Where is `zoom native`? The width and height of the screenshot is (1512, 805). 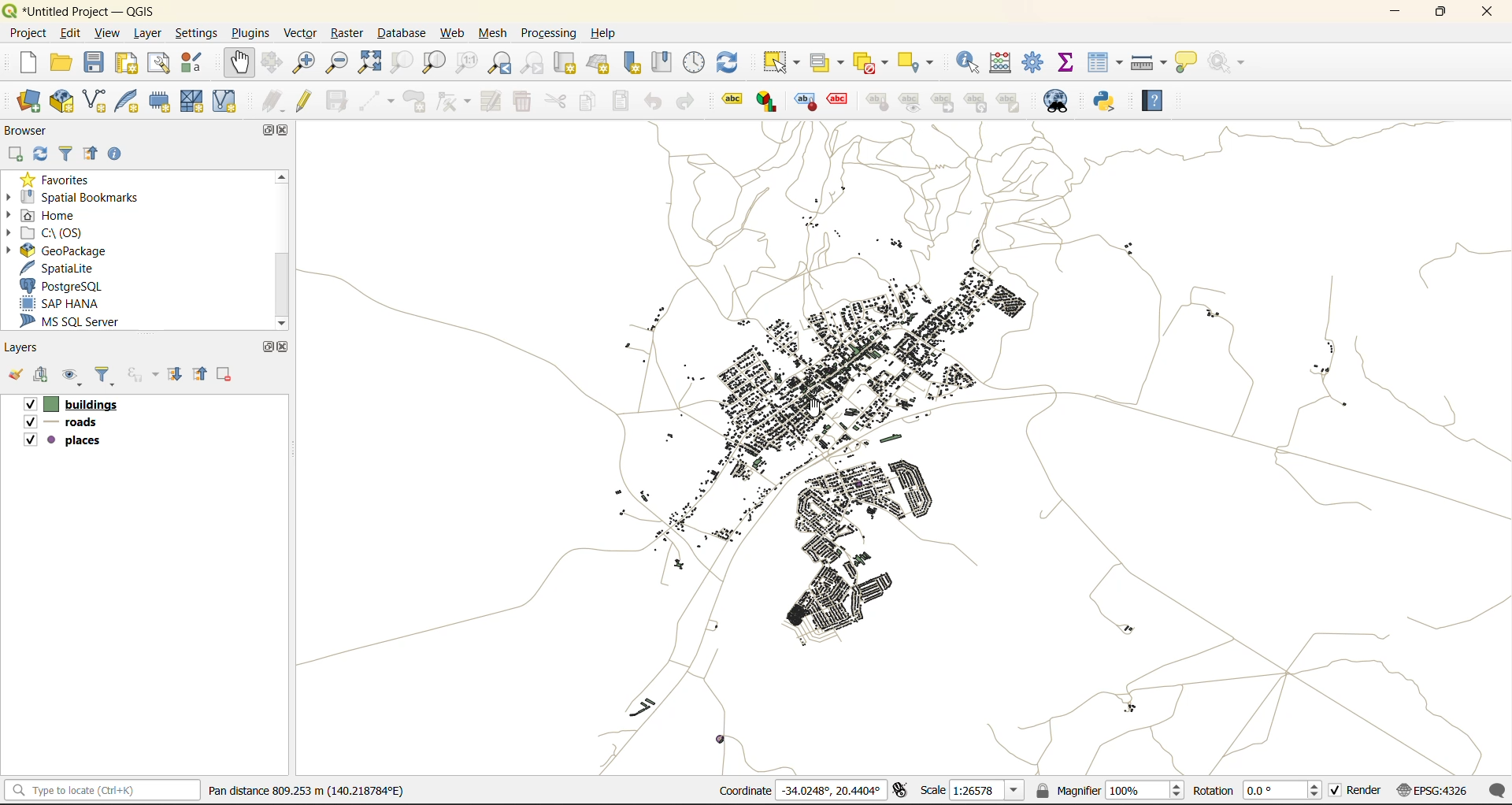 zoom native is located at coordinates (462, 65).